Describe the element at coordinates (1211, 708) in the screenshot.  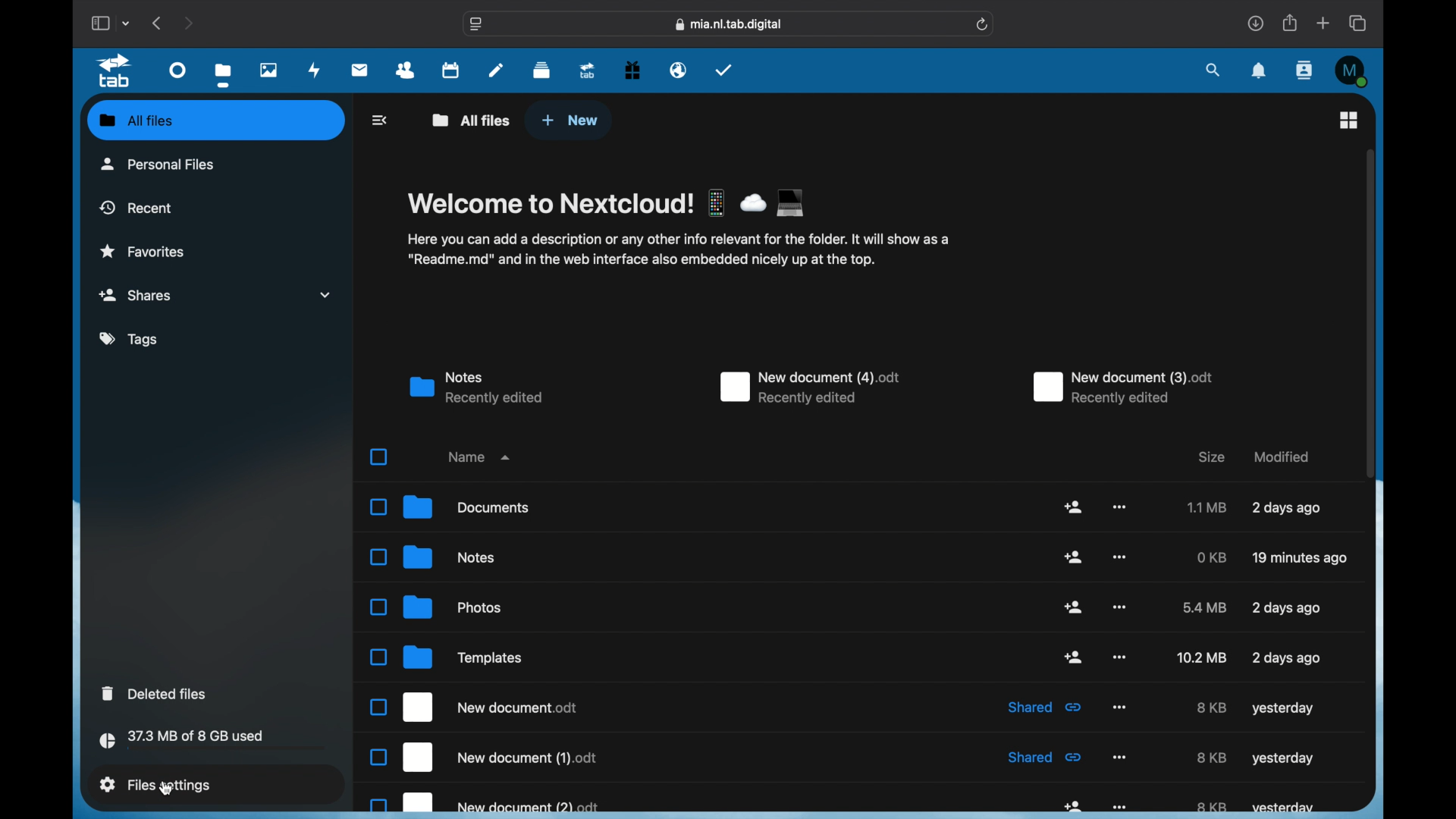
I see `size` at that location.